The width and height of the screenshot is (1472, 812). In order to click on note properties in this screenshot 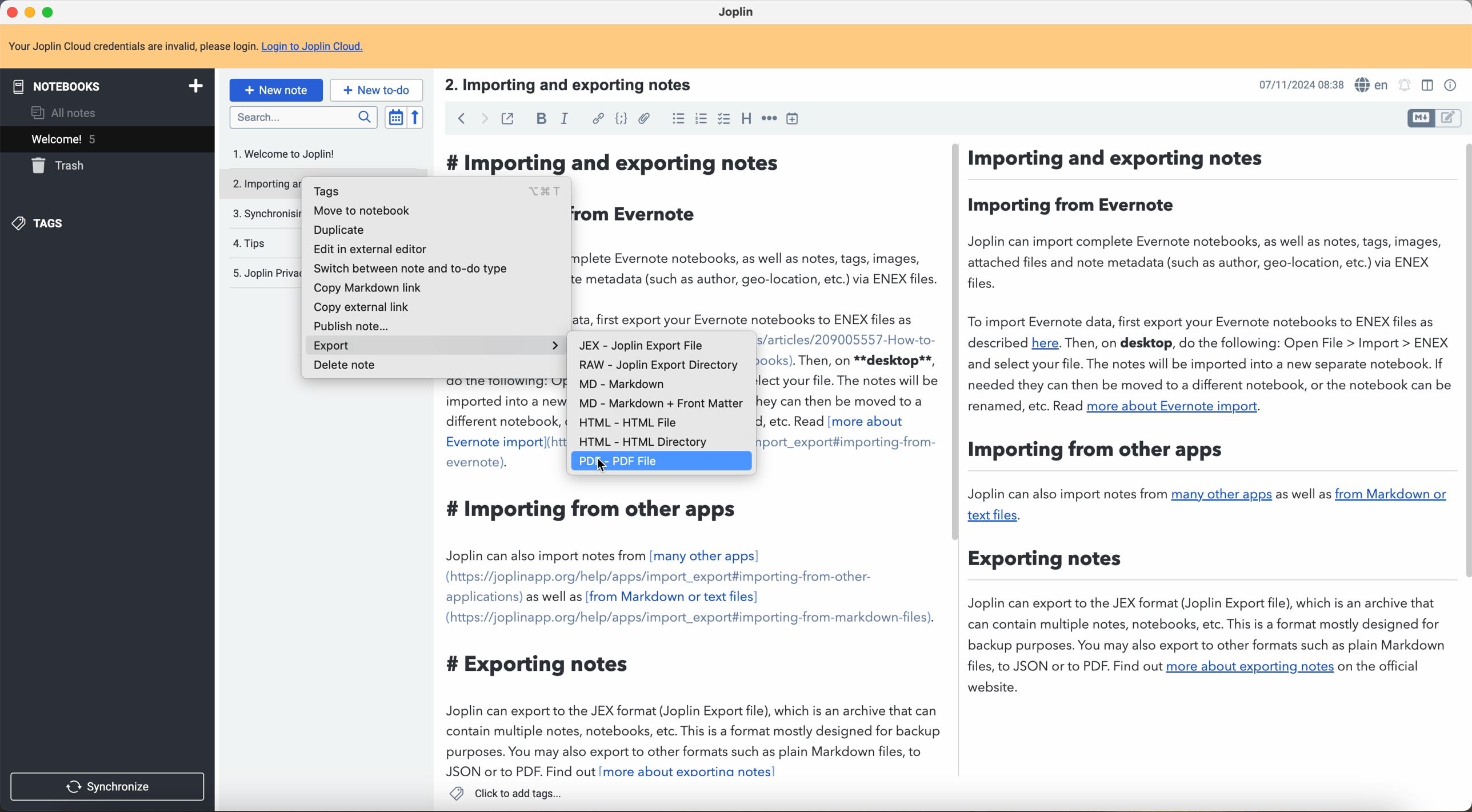, I will do `click(1451, 84)`.